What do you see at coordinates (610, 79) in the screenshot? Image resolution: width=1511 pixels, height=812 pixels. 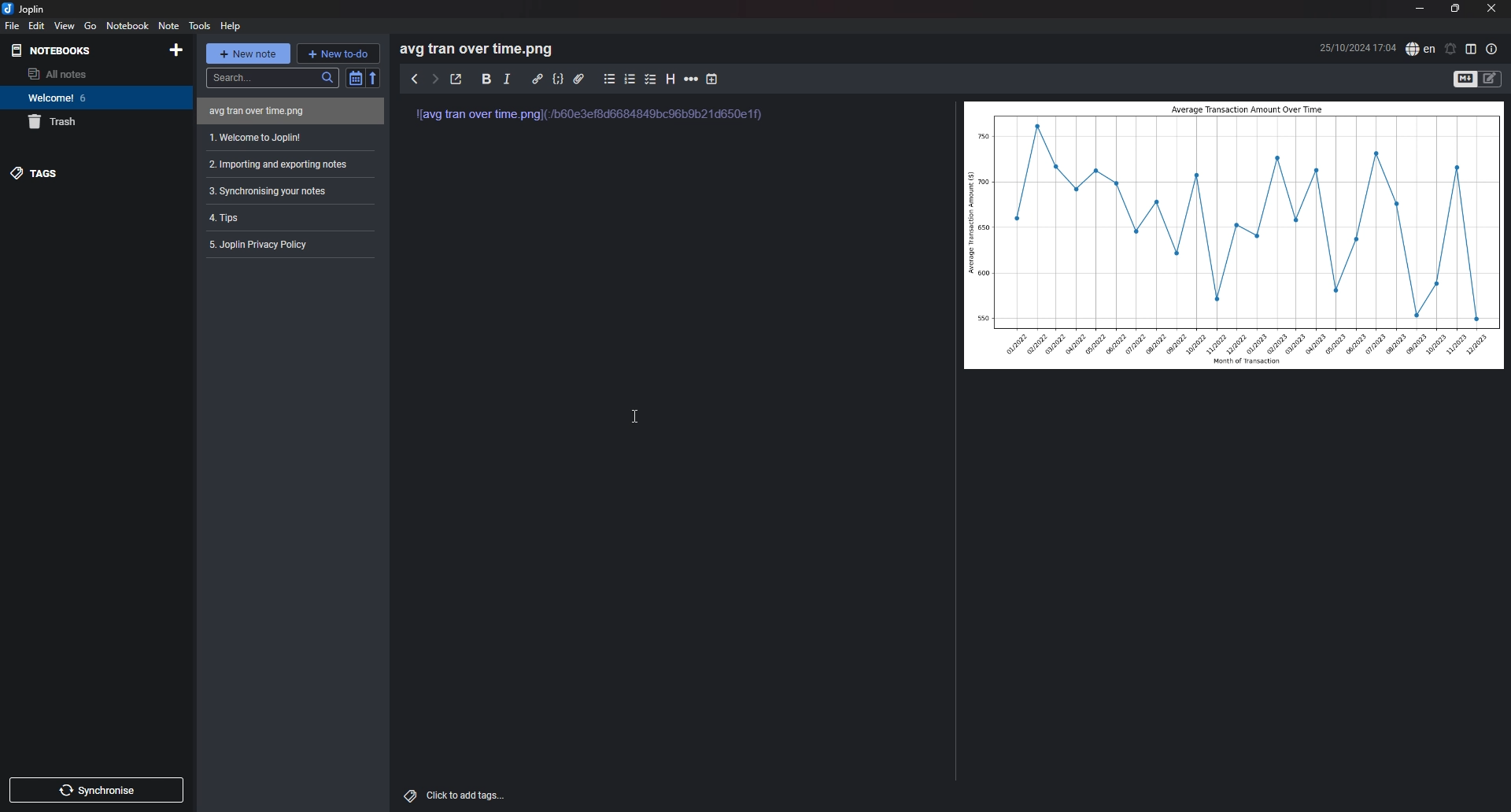 I see `bulleted list` at bounding box center [610, 79].